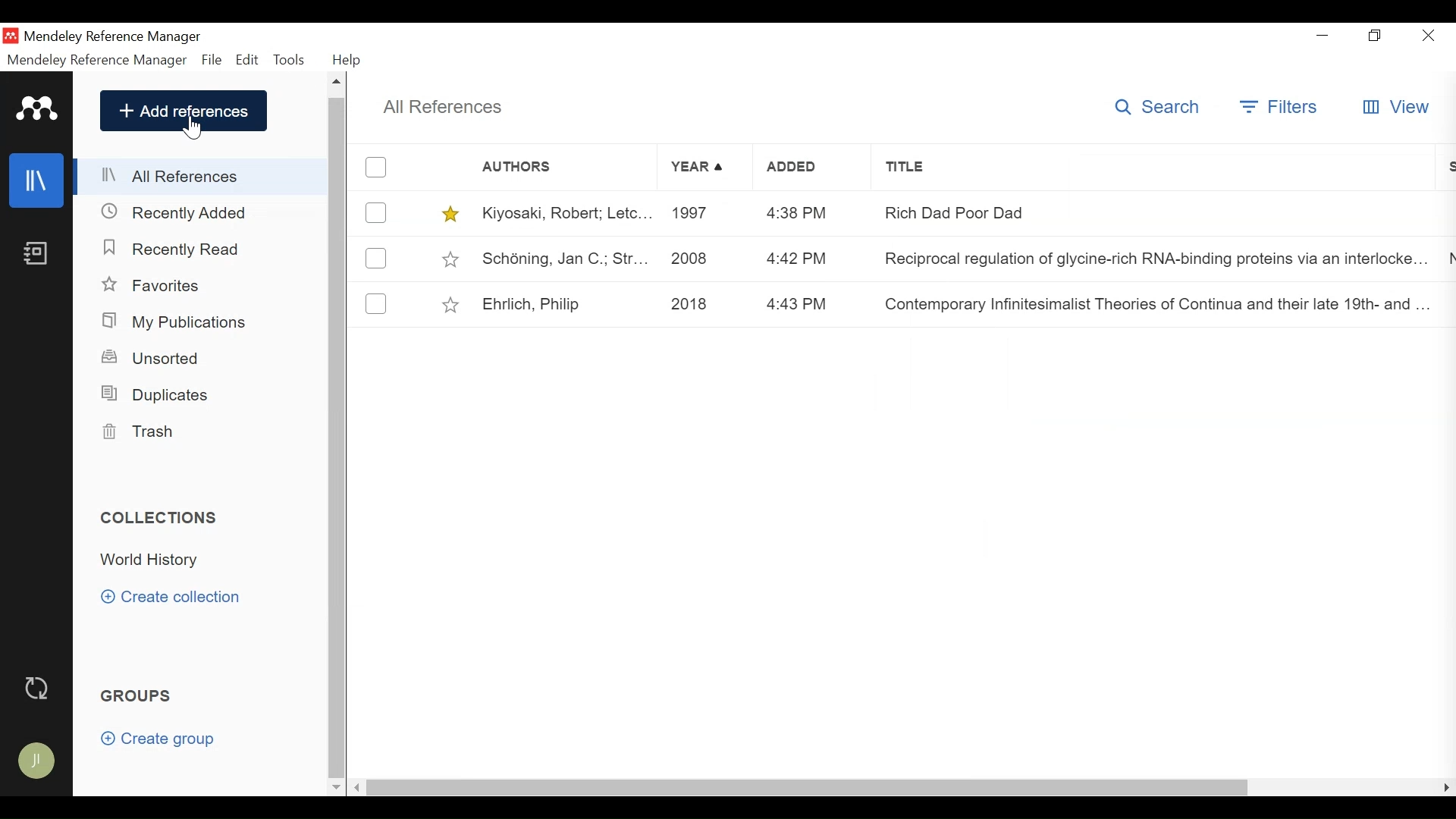 The height and width of the screenshot is (819, 1456). I want to click on minimize, so click(1323, 36).